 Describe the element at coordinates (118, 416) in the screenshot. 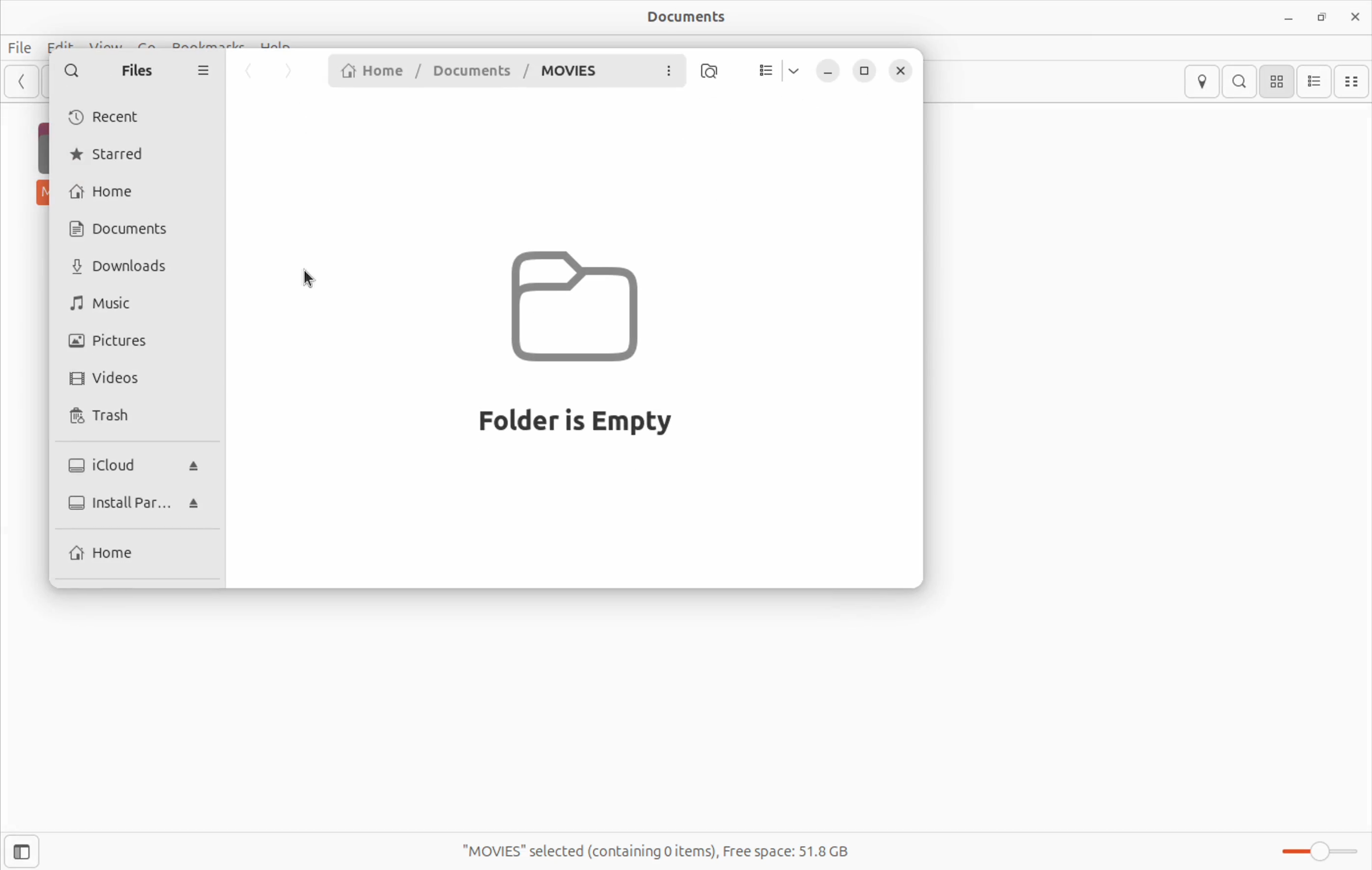

I see `Trash` at that location.